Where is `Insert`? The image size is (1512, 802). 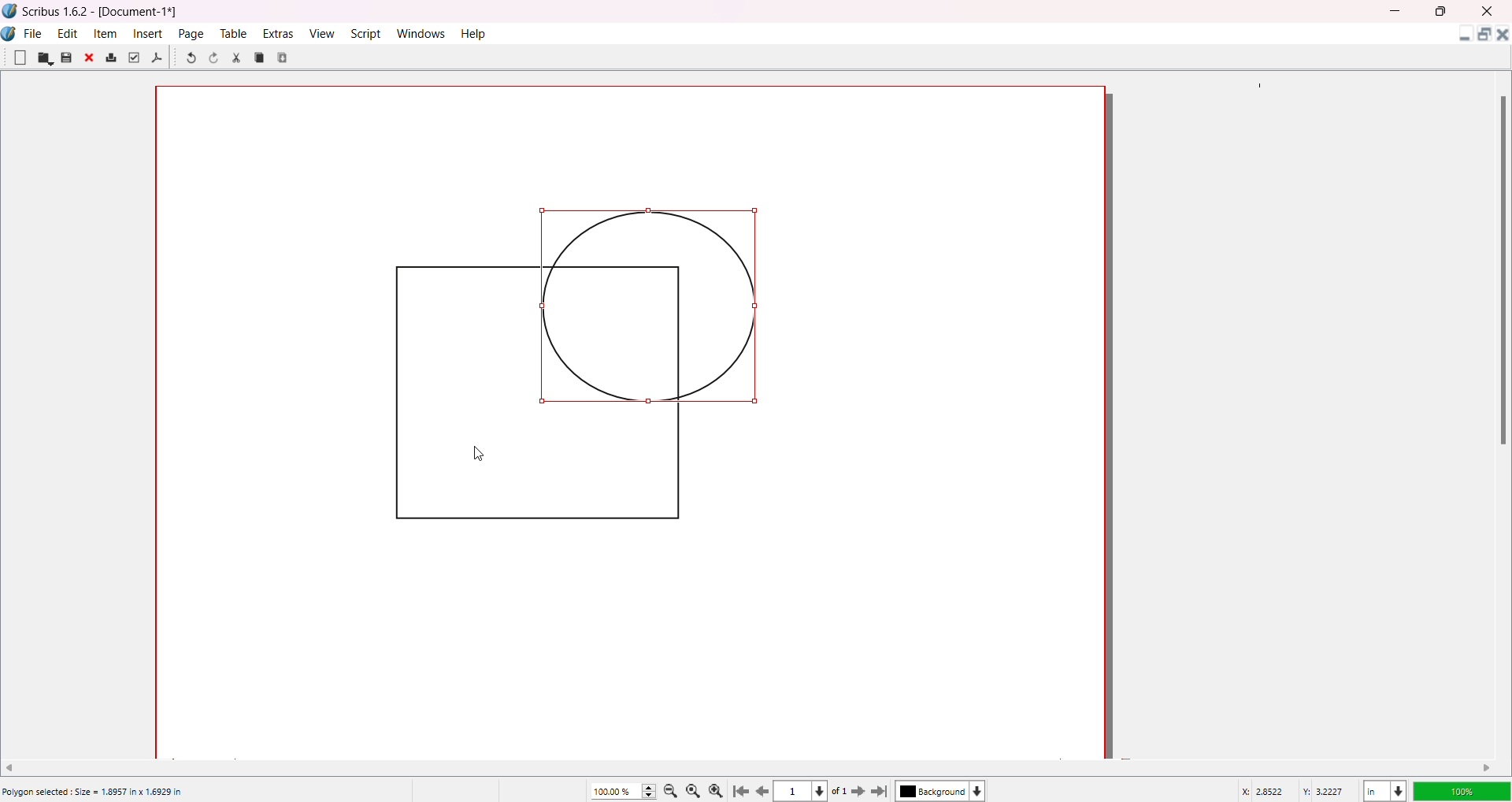
Insert is located at coordinates (150, 33).